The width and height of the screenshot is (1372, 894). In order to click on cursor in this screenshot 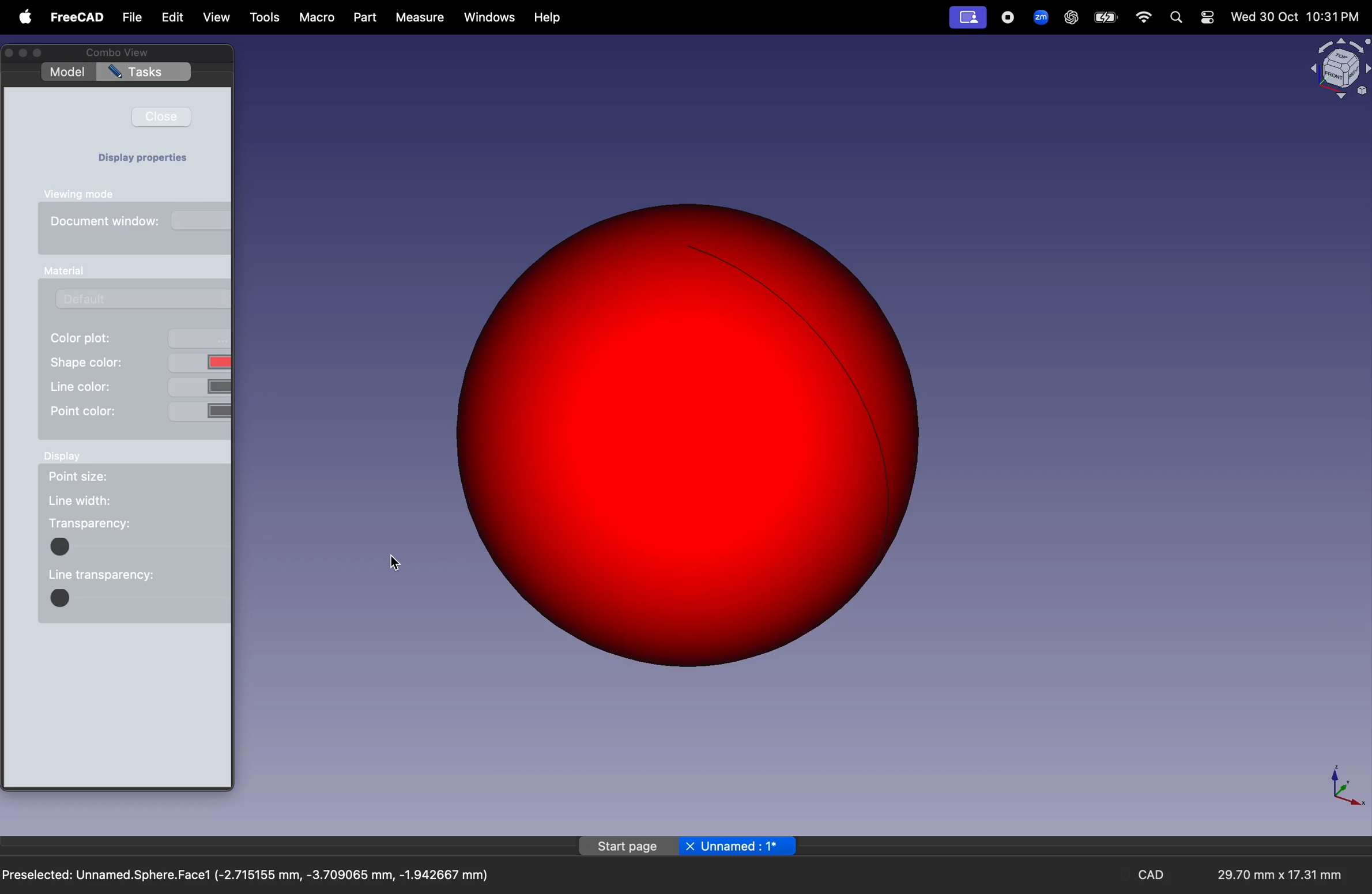, I will do `click(392, 563)`.